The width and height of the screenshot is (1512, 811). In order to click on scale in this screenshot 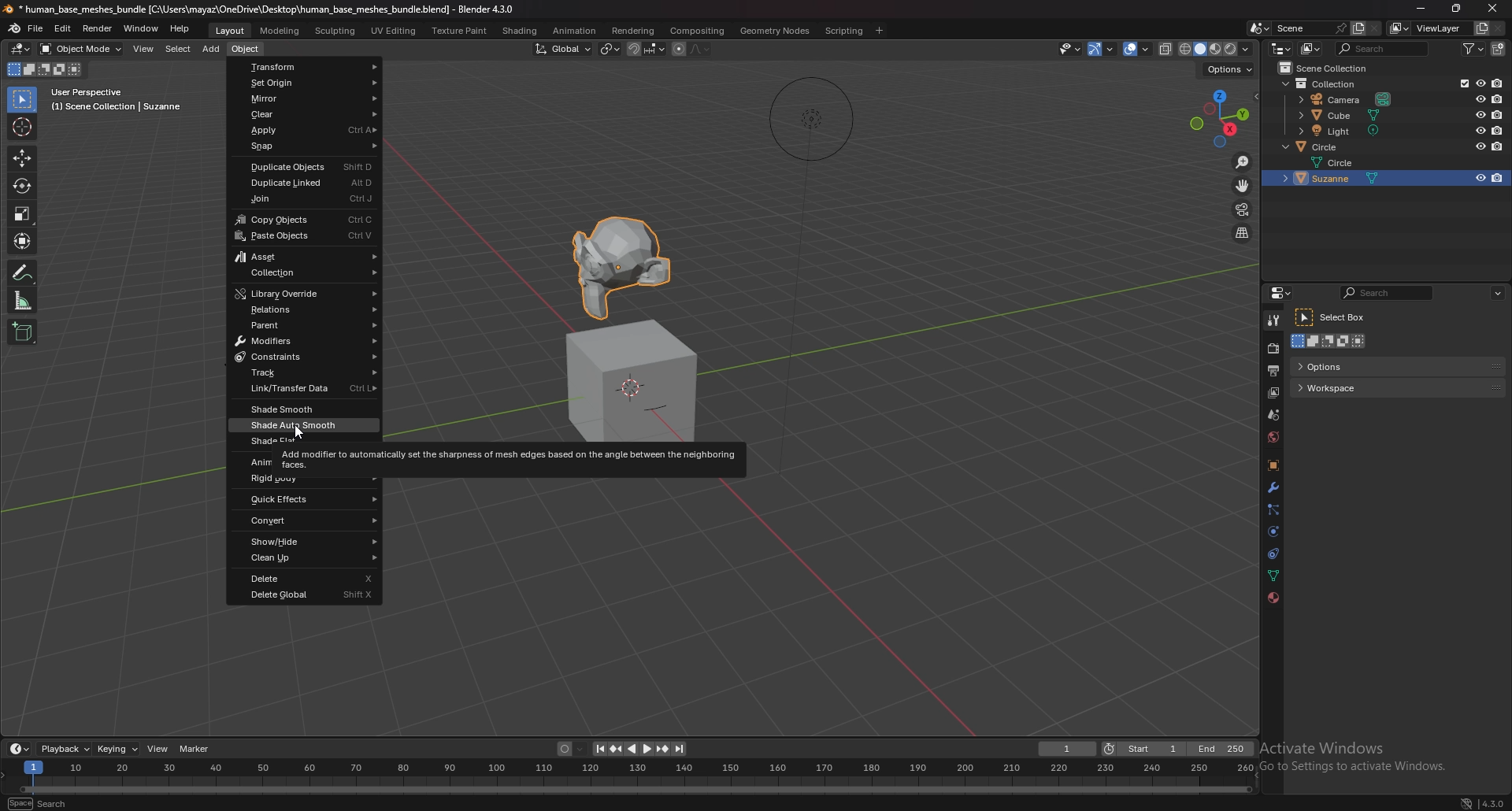, I will do `click(23, 214)`.